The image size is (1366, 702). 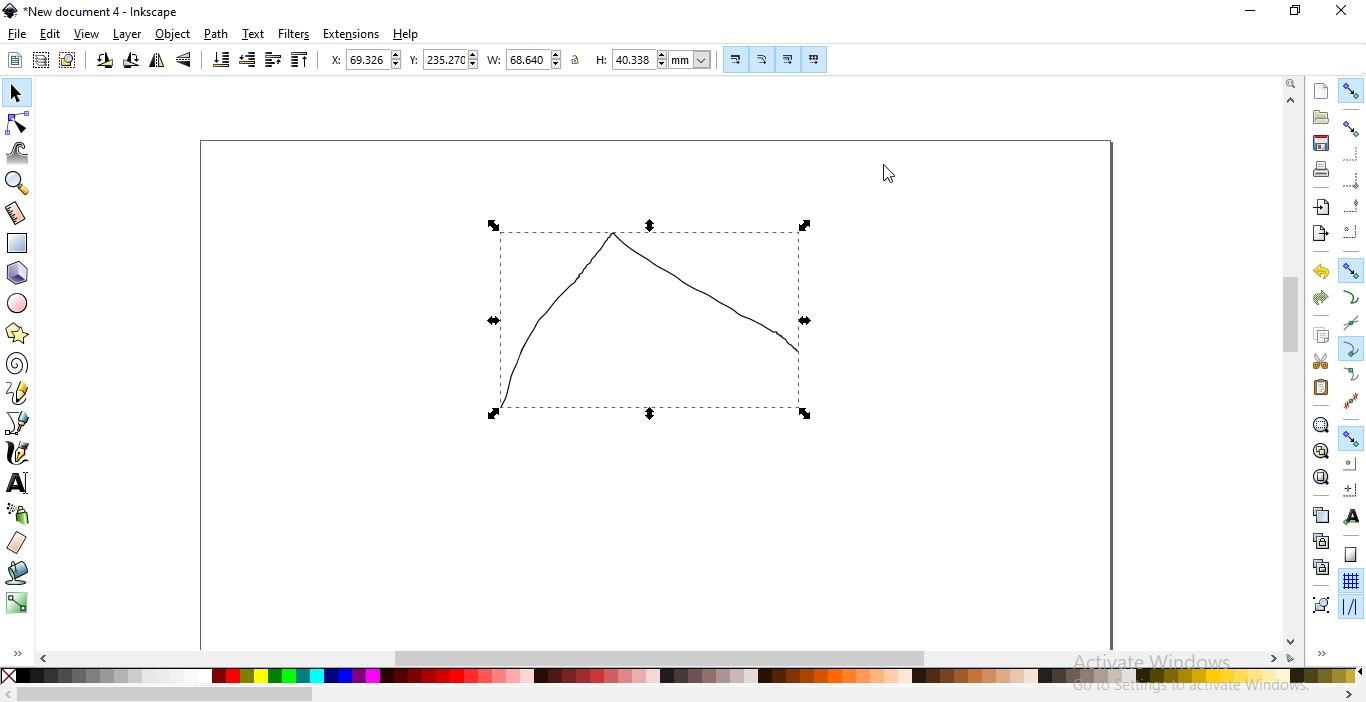 I want to click on snap other points, so click(x=1351, y=437).